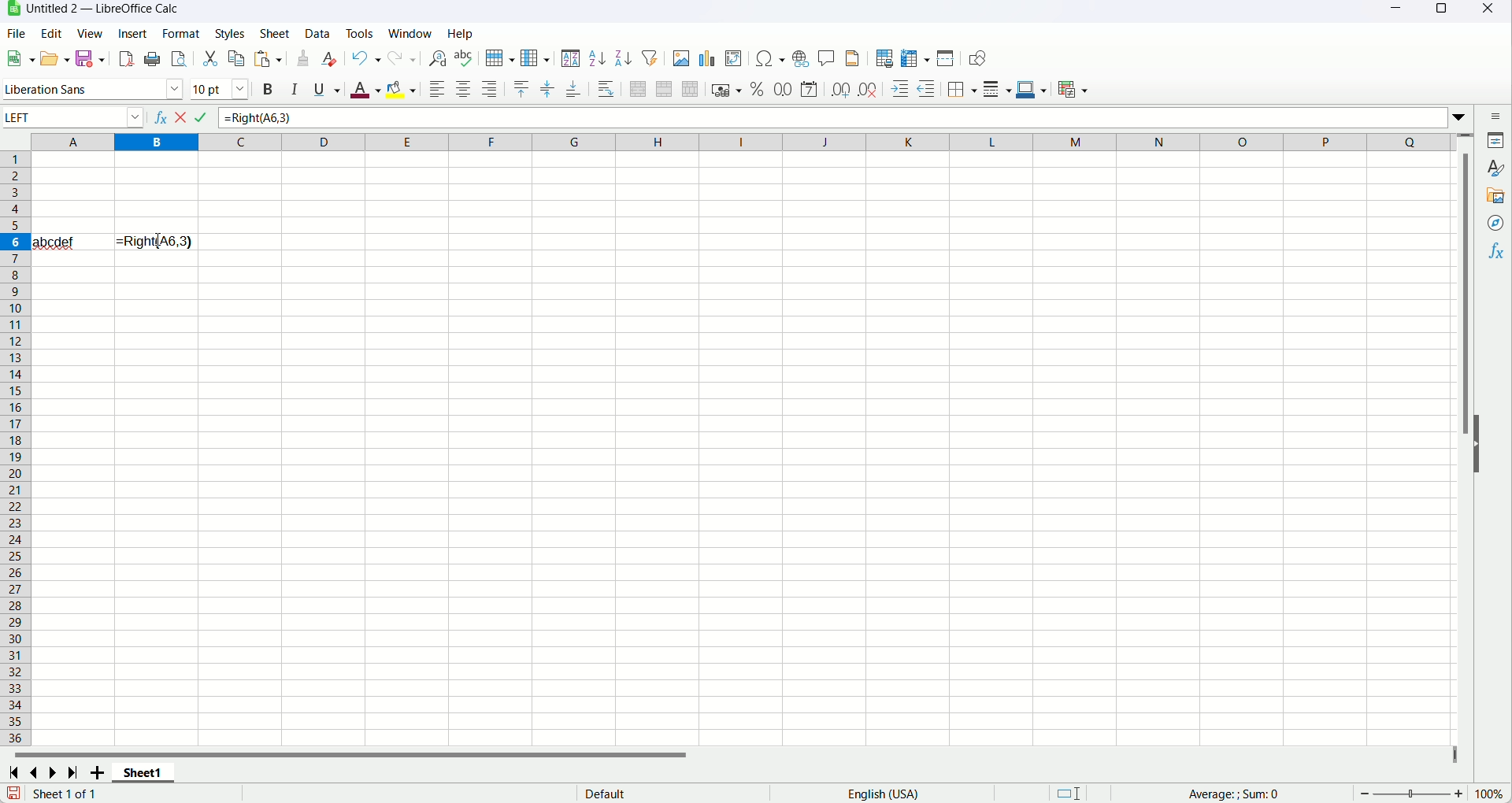  What do you see at coordinates (882, 794) in the screenshot?
I see `english (USA)` at bounding box center [882, 794].